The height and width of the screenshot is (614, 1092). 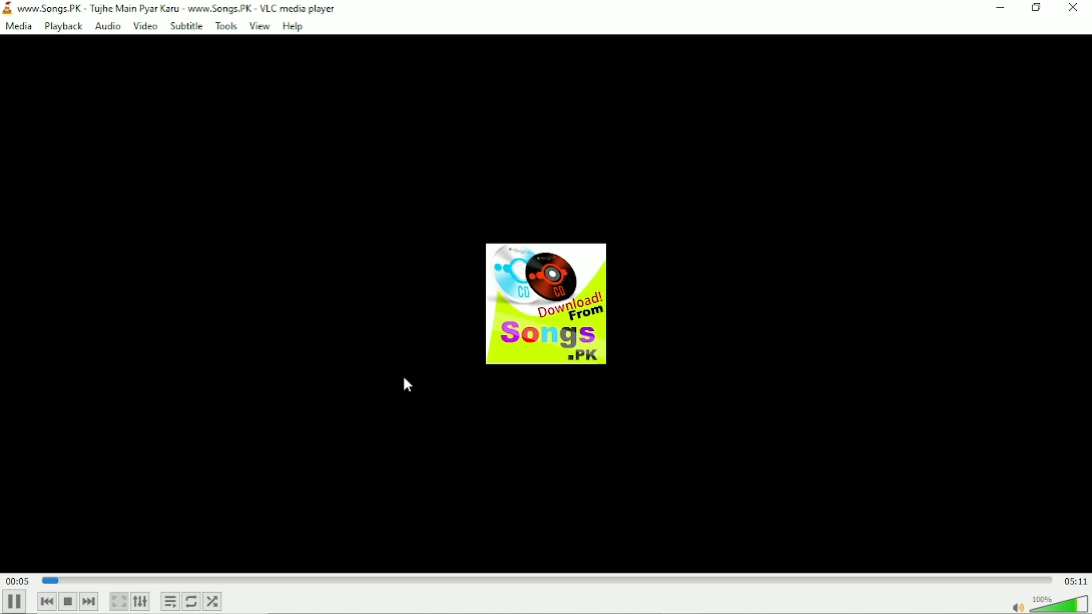 I want to click on Toggle between loop all, loop one and no loop, so click(x=192, y=602).